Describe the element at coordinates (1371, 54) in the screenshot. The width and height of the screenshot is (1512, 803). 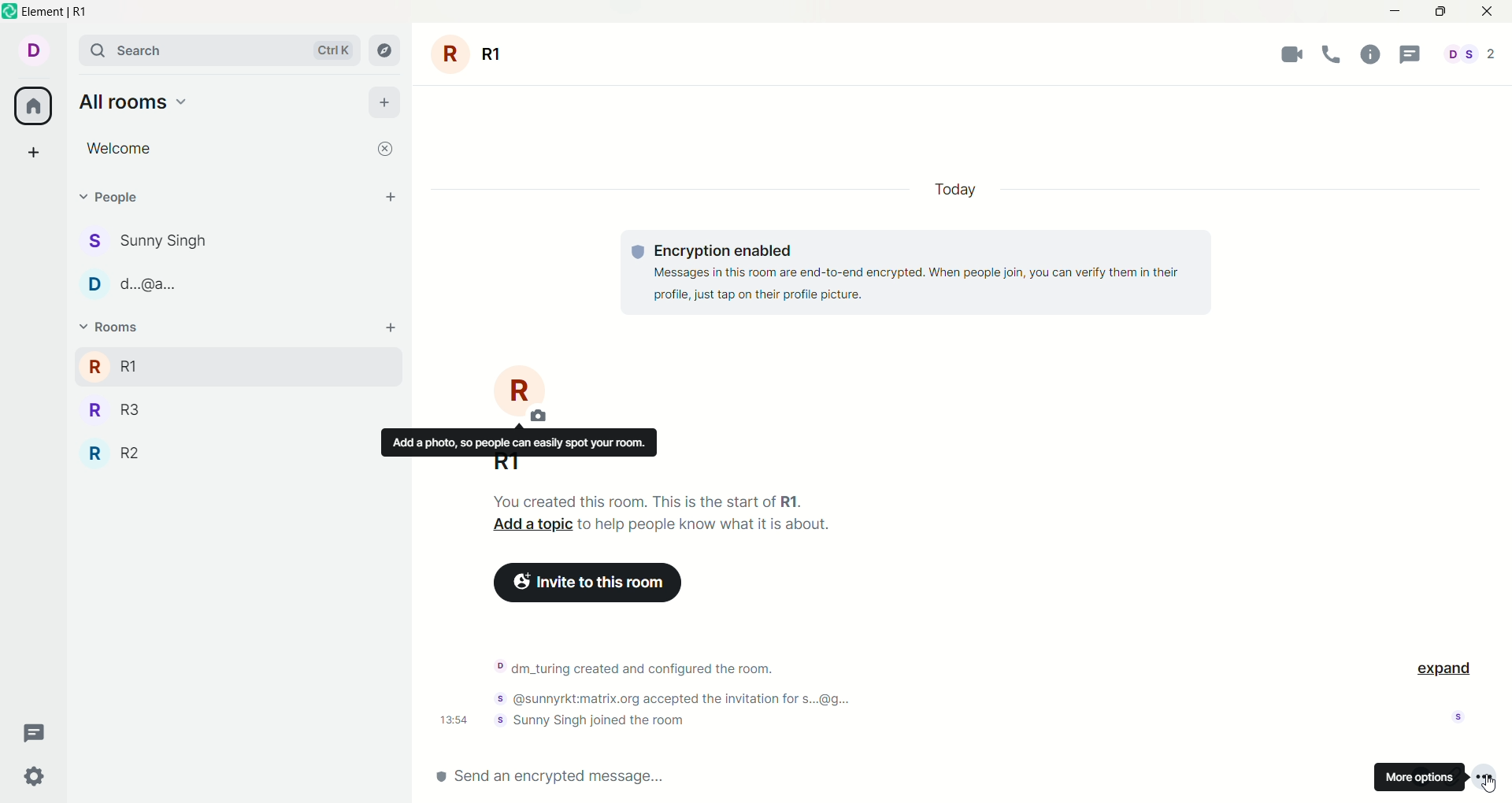
I see `help` at that location.